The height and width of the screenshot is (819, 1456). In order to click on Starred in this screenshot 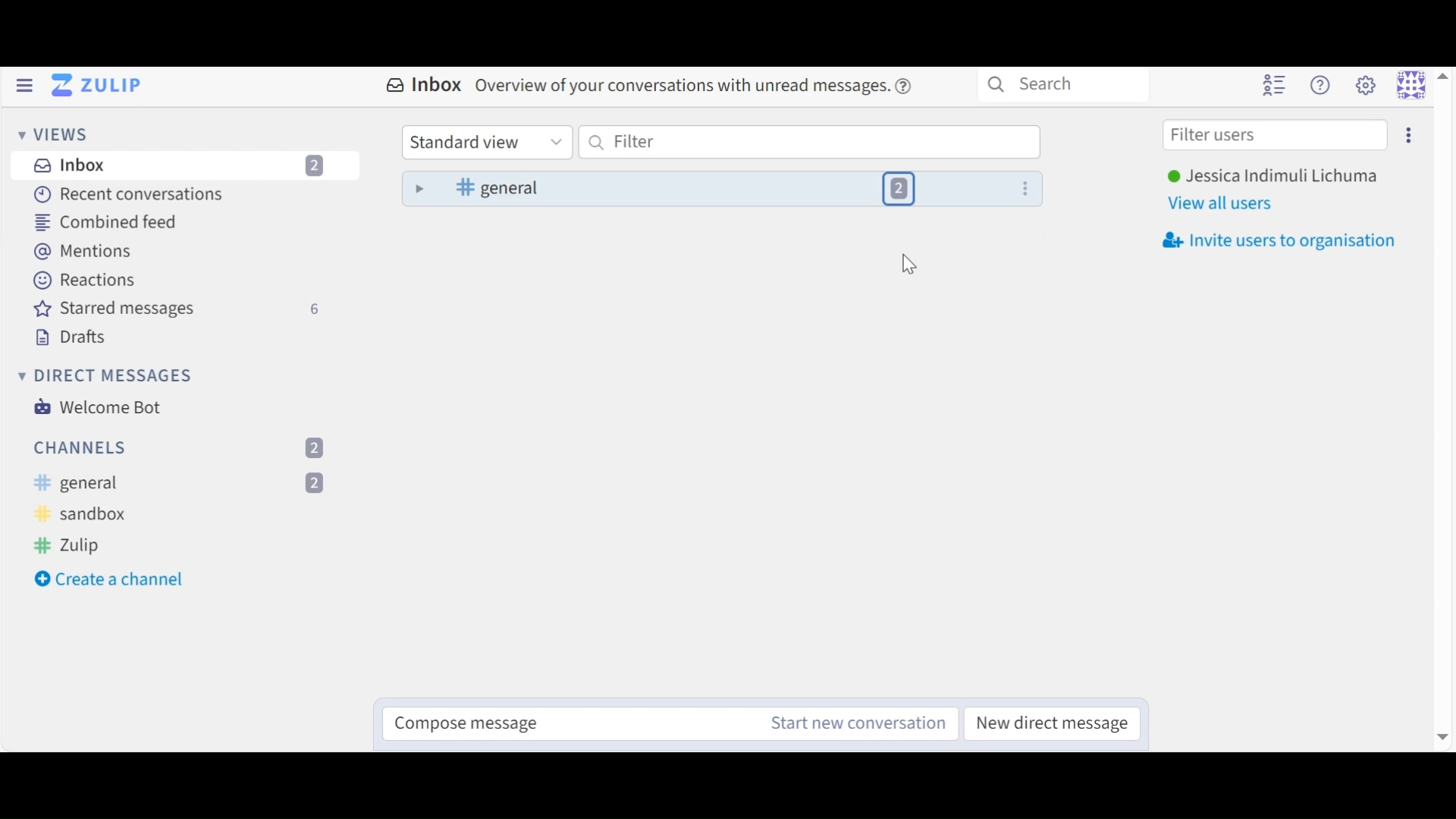, I will do `click(175, 309)`.